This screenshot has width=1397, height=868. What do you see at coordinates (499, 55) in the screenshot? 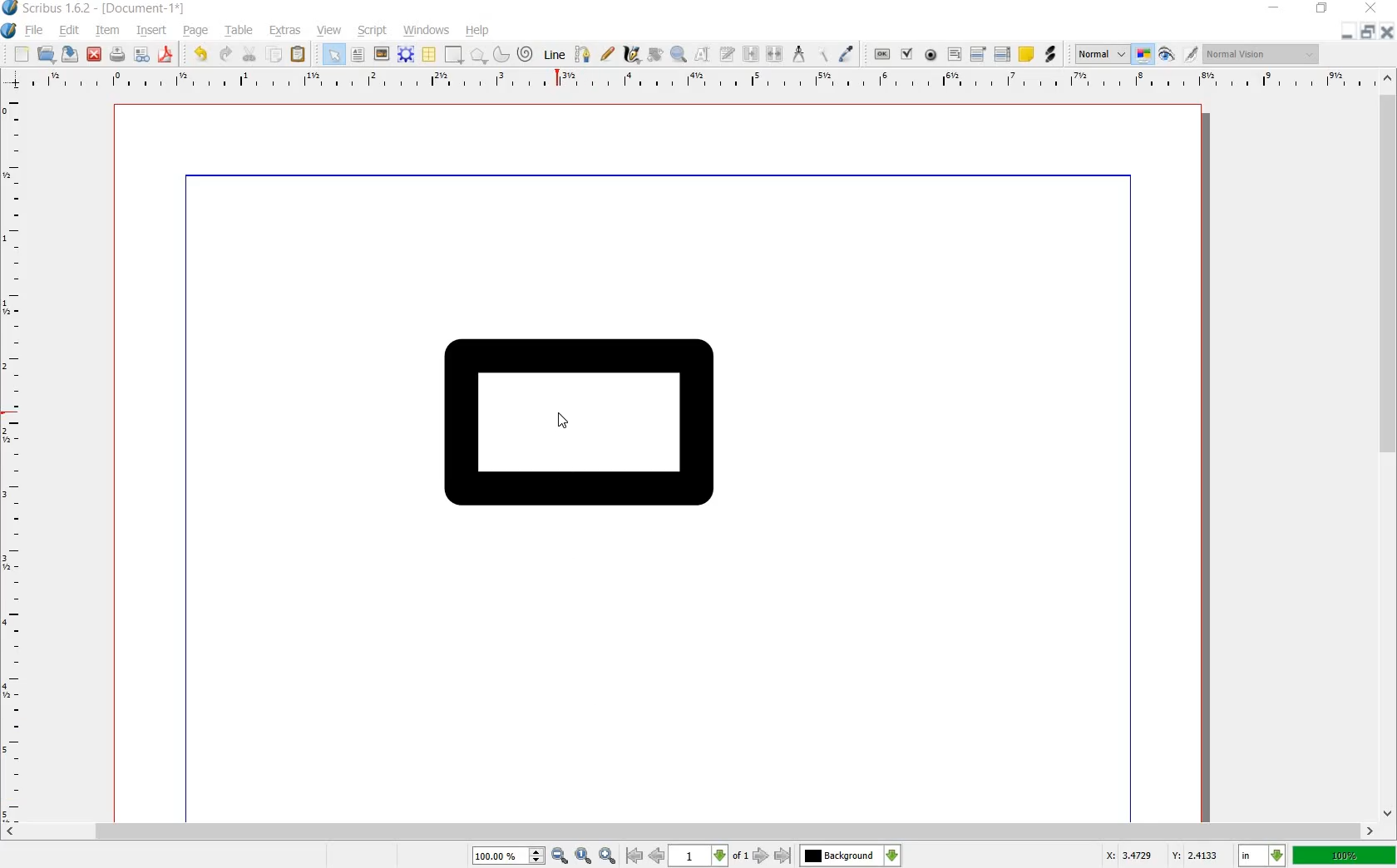
I see `arc` at bounding box center [499, 55].